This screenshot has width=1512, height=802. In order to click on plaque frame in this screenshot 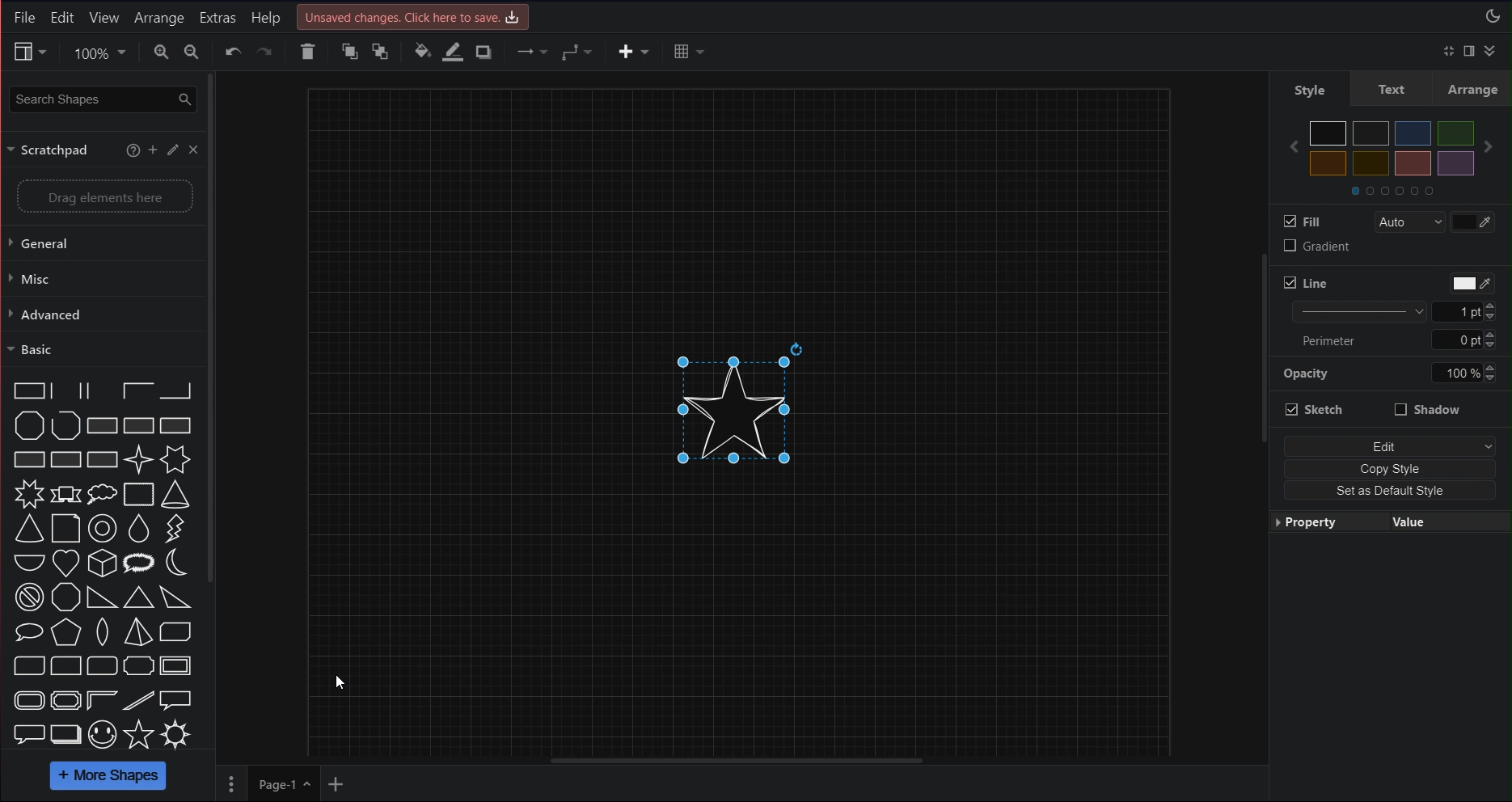, I will do `click(65, 699)`.